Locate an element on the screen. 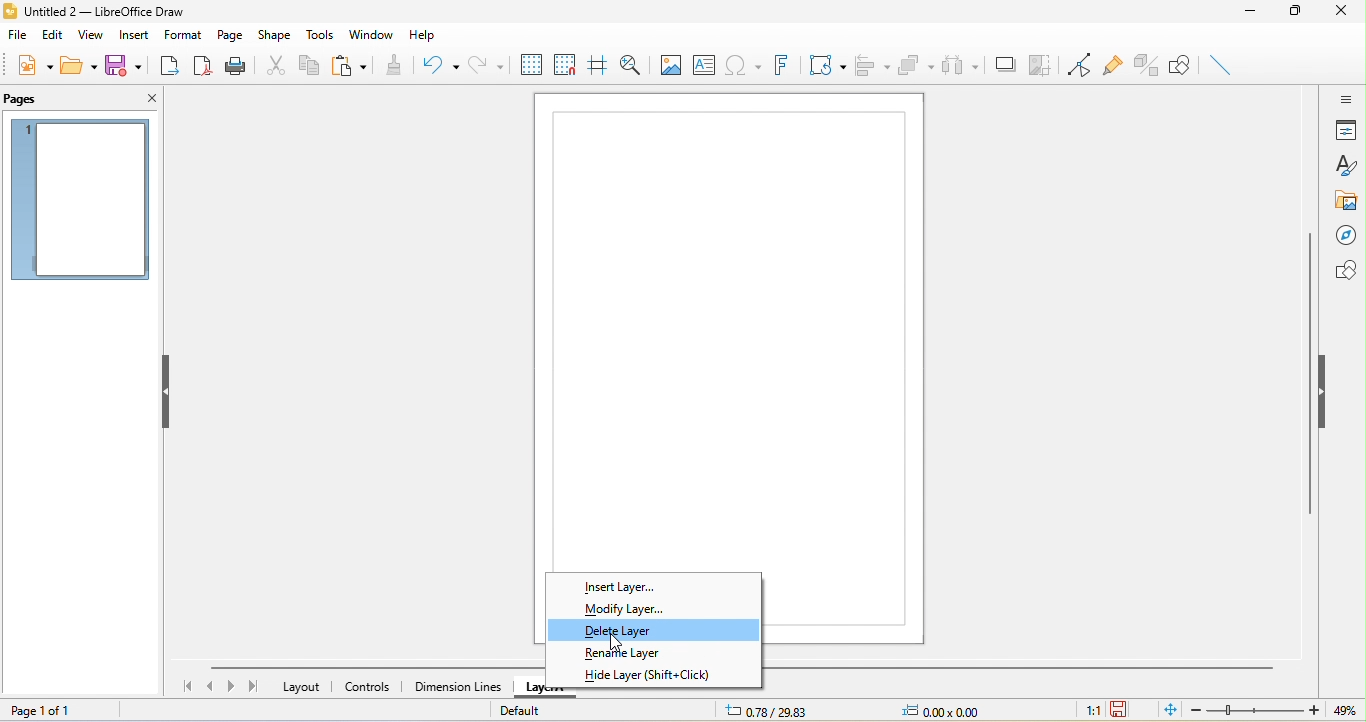 The image size is (1366, 722). new is located at coordinates (29, 64).